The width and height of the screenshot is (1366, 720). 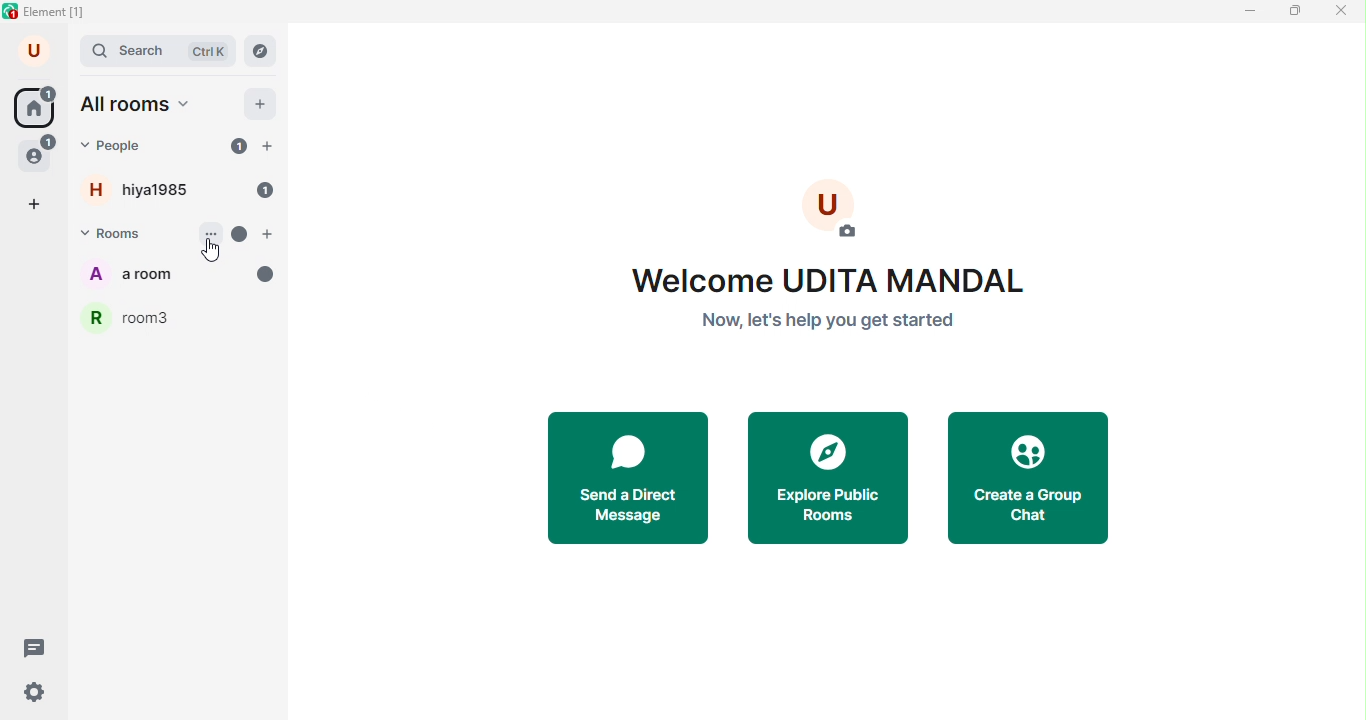 I want to click on send a direct message, so click(x=631, y=477).